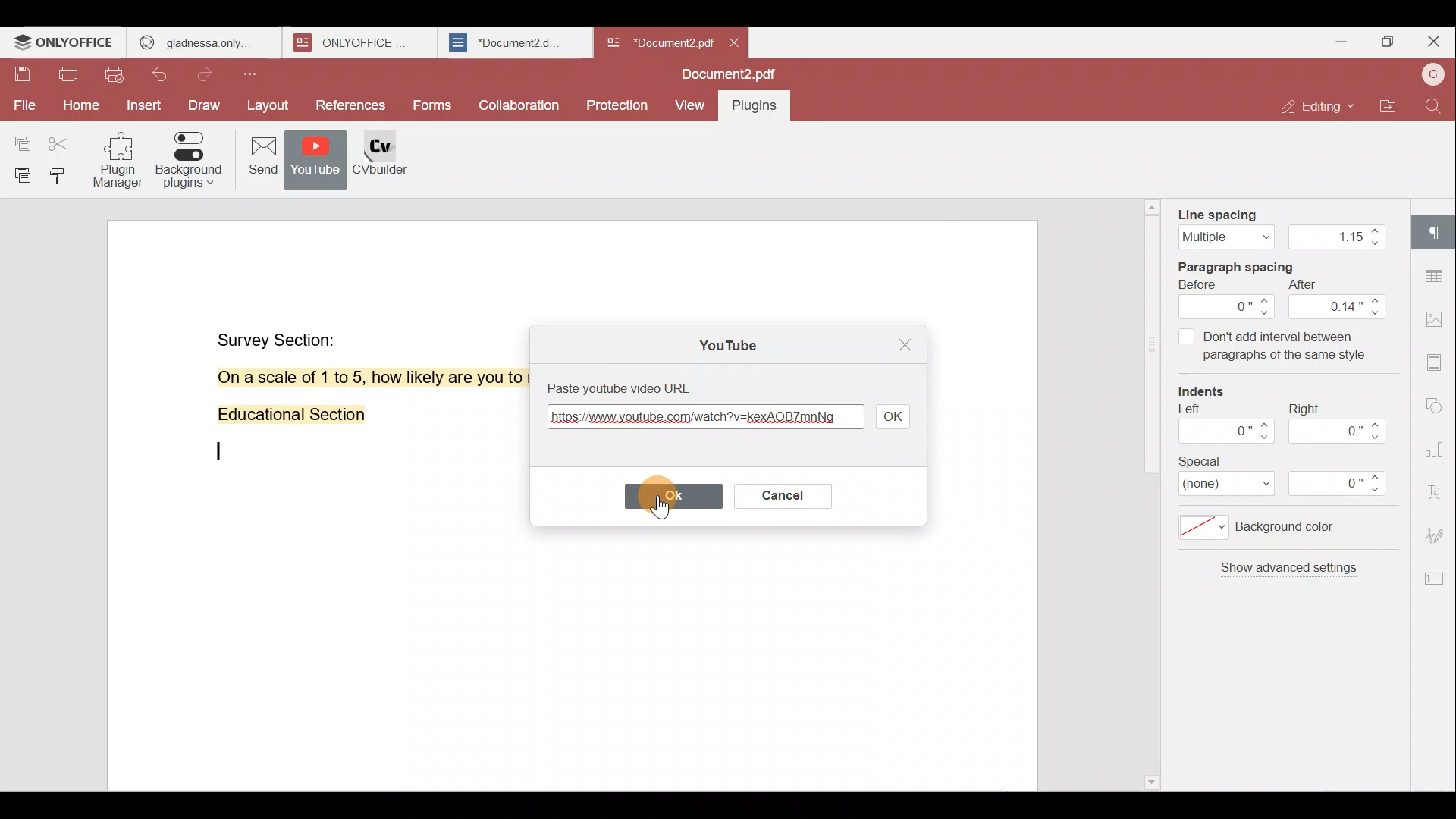  What do you see at coordinates (1337, 40) in the screenshot?
I see `Minimize` at bounding box center [1337, 40].